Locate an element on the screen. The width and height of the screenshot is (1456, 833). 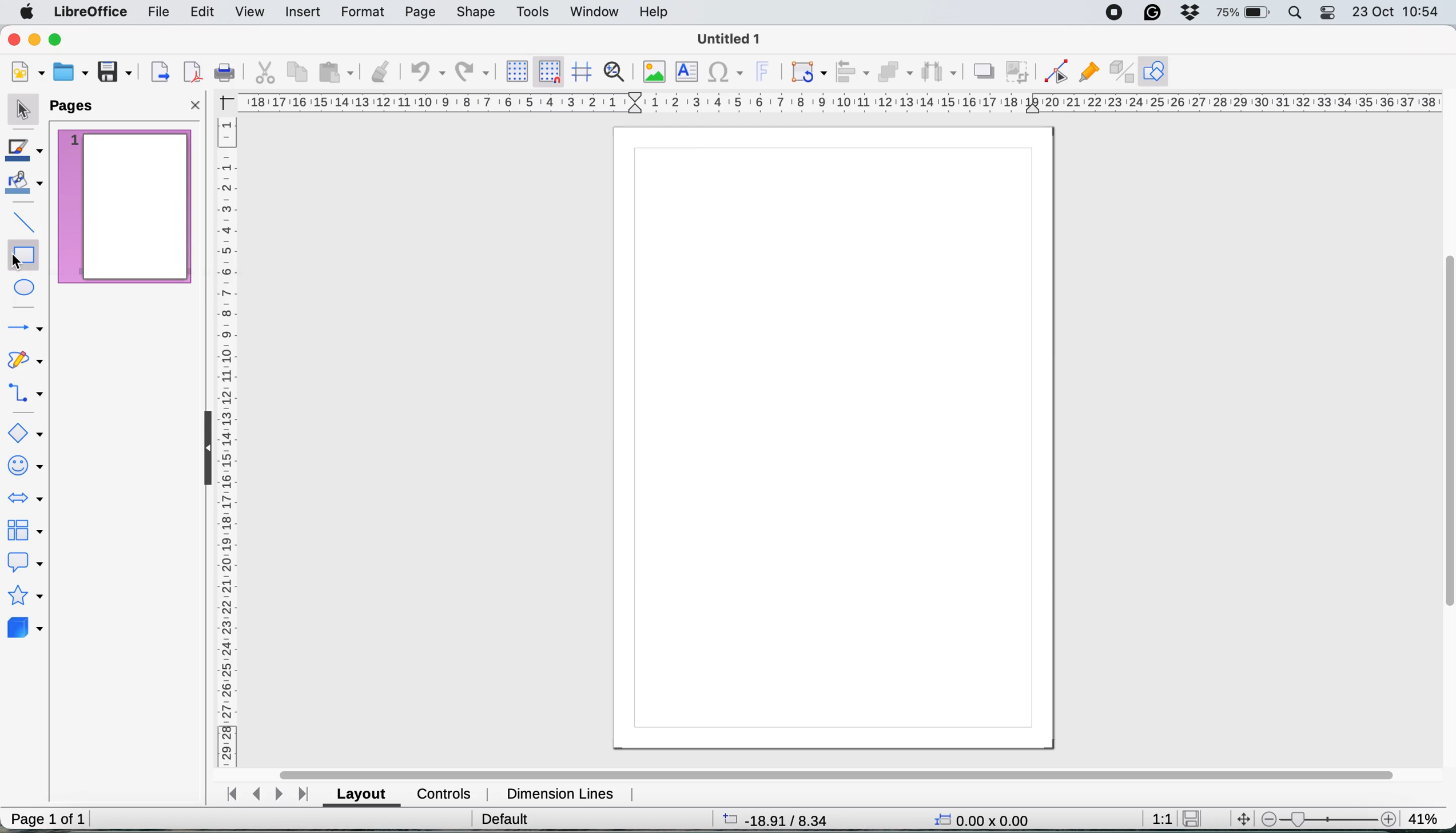
horizontal scroll bar is located at coordinates (837, 768).